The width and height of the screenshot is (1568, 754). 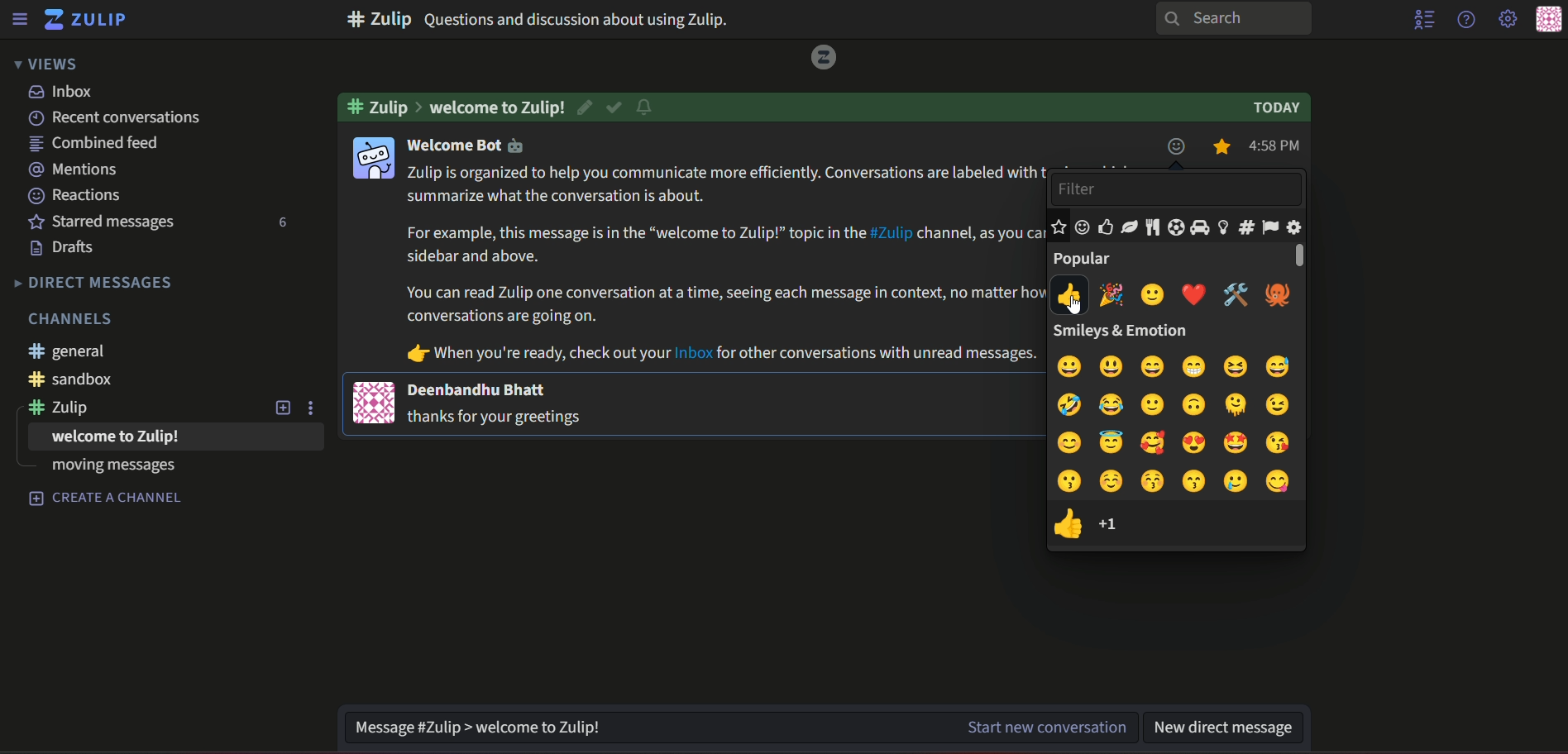 I want to click on Today, so click(x=1274, y=107).